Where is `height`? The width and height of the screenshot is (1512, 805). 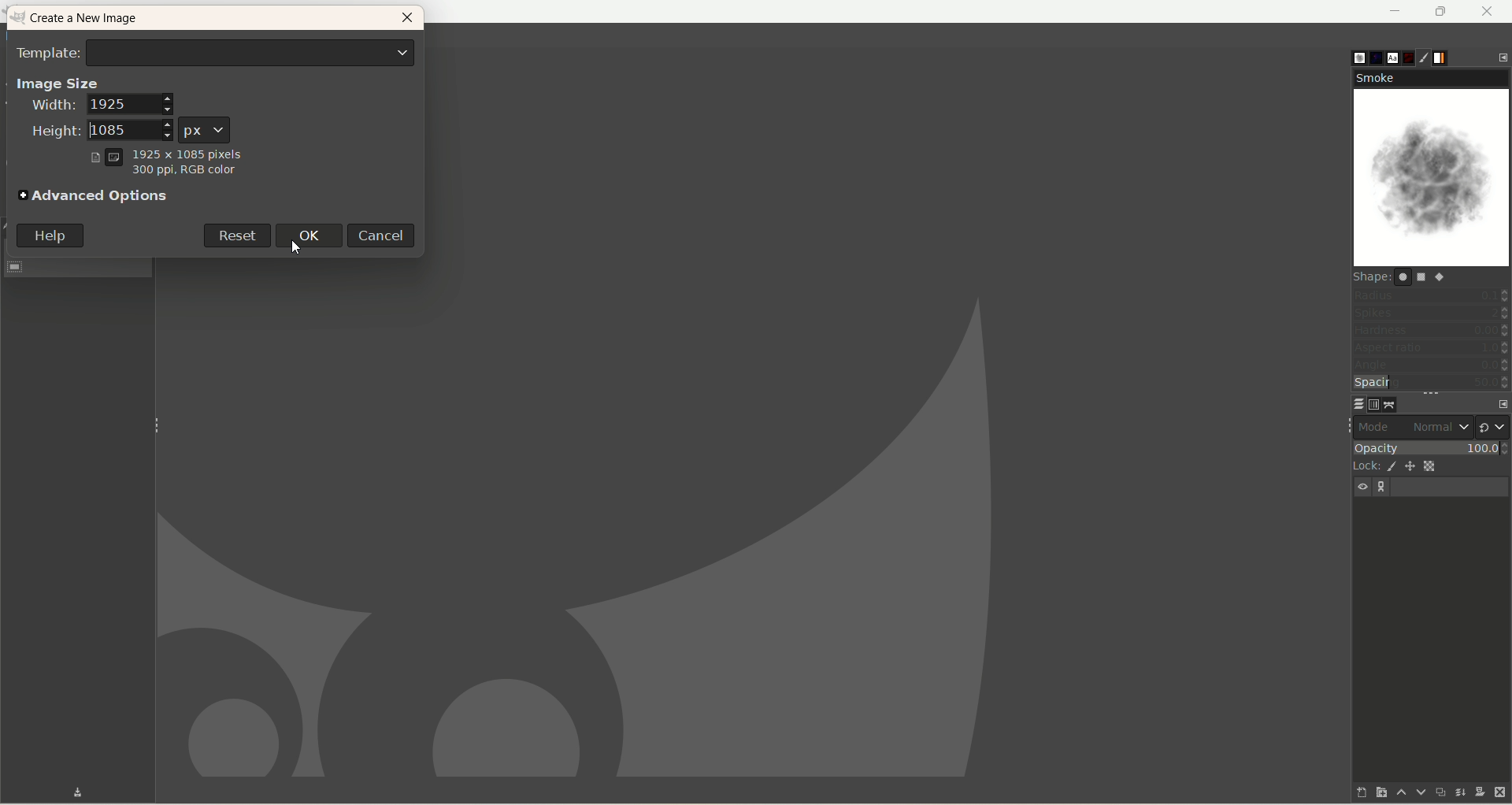 height is located at coordinates (95, 131).